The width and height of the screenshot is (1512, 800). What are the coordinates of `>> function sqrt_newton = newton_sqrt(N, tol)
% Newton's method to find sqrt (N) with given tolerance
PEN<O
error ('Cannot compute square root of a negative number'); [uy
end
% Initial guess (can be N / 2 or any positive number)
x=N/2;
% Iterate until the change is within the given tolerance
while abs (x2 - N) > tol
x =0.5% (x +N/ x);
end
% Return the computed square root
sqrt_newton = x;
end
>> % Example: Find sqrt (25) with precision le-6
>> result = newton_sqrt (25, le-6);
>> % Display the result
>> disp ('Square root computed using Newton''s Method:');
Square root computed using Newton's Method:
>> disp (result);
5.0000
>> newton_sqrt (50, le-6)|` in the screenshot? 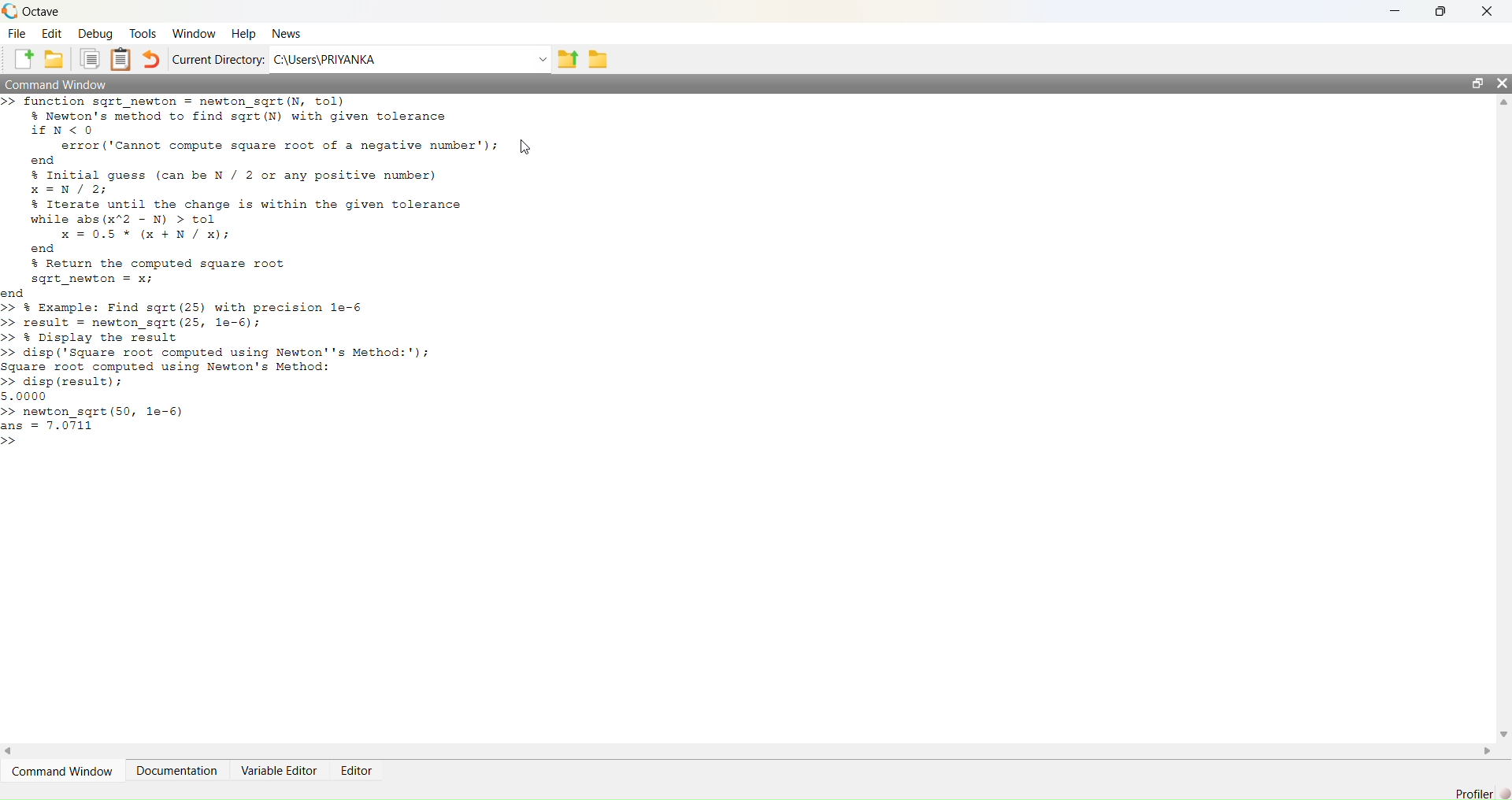 It's located at (280, 275).